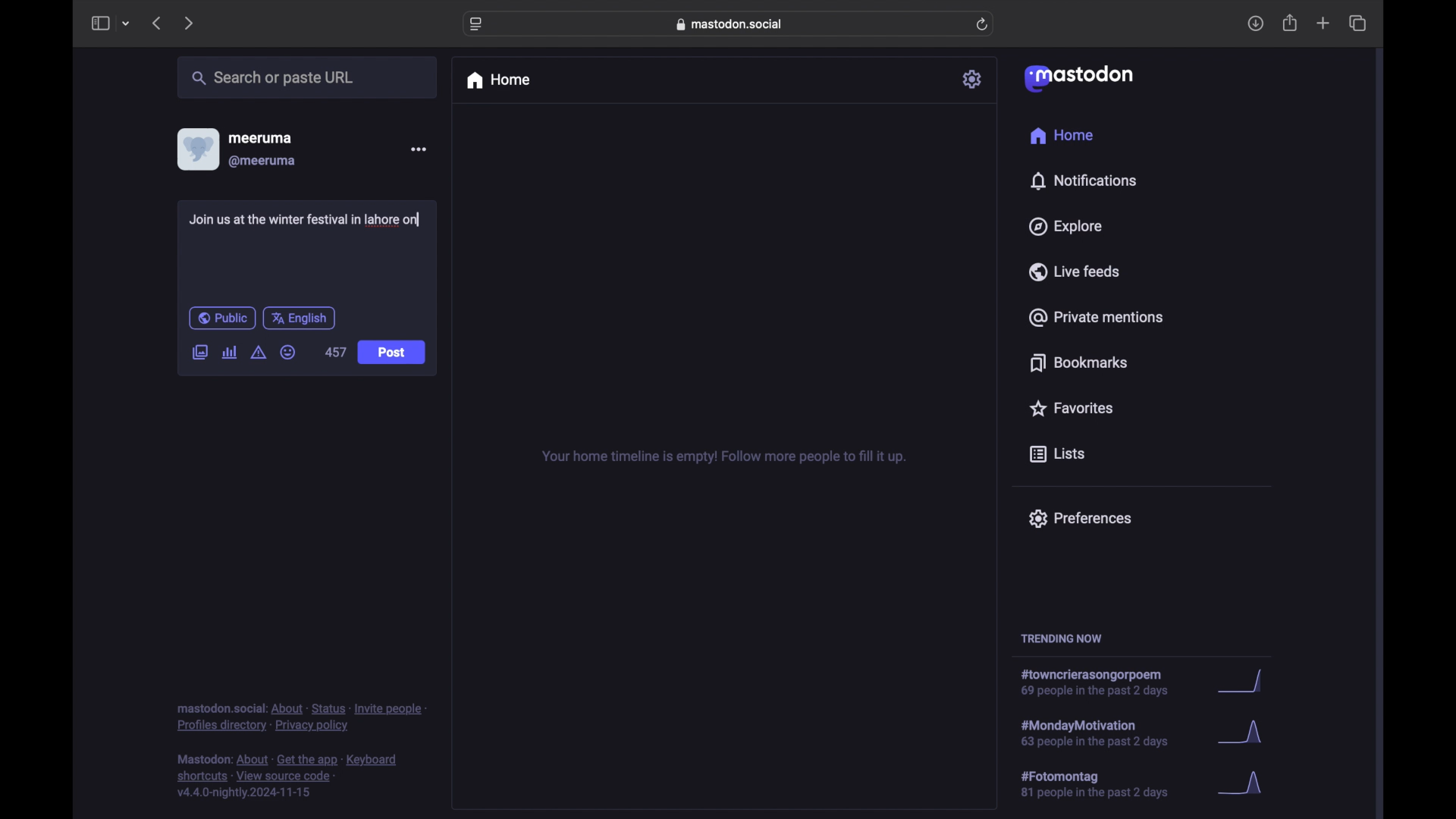 Image resolution: width=1456 pixels, height=819 pixels. I want to click on download, so click(1256, 24).